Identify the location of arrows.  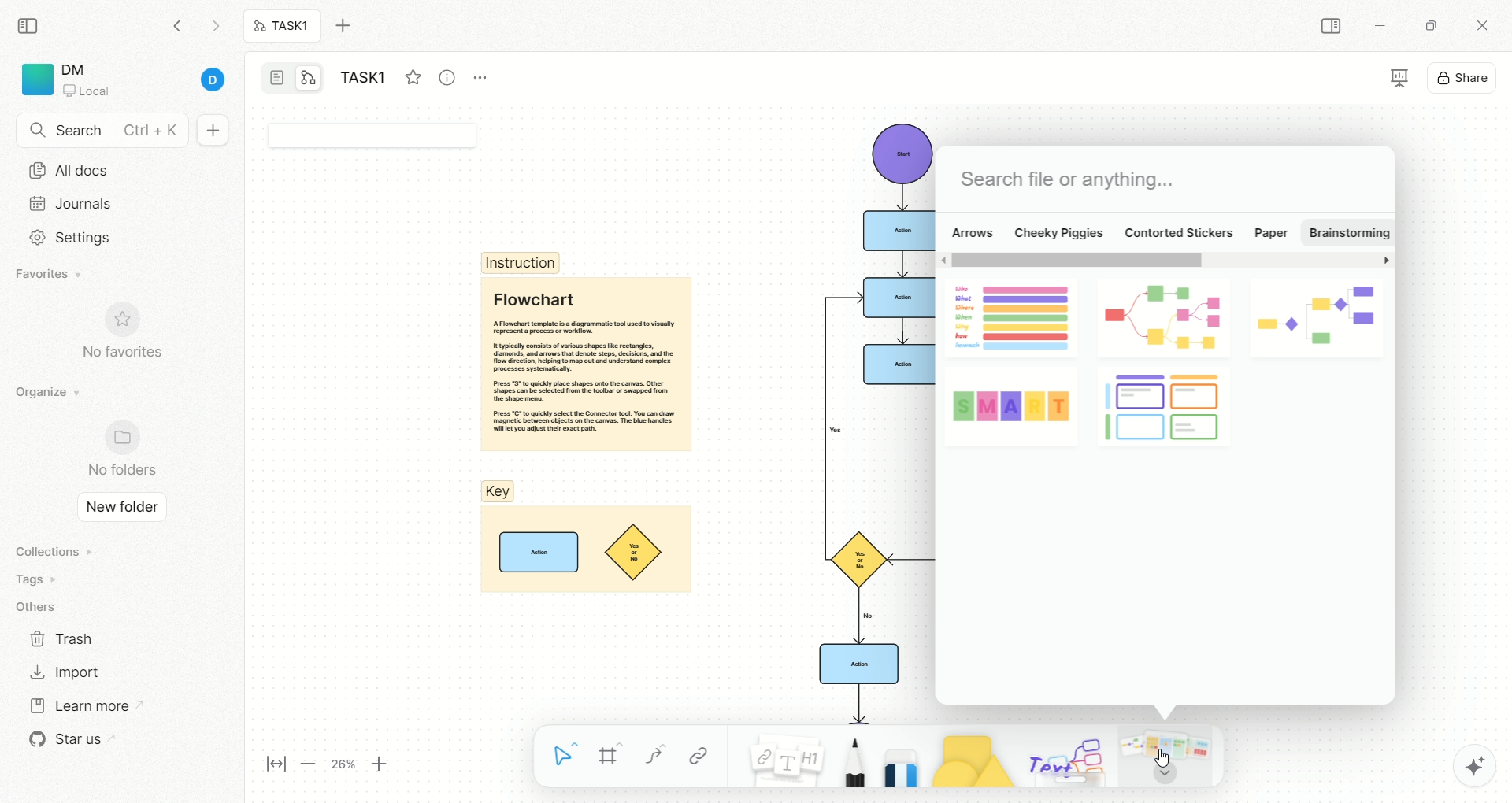
(971, 231).